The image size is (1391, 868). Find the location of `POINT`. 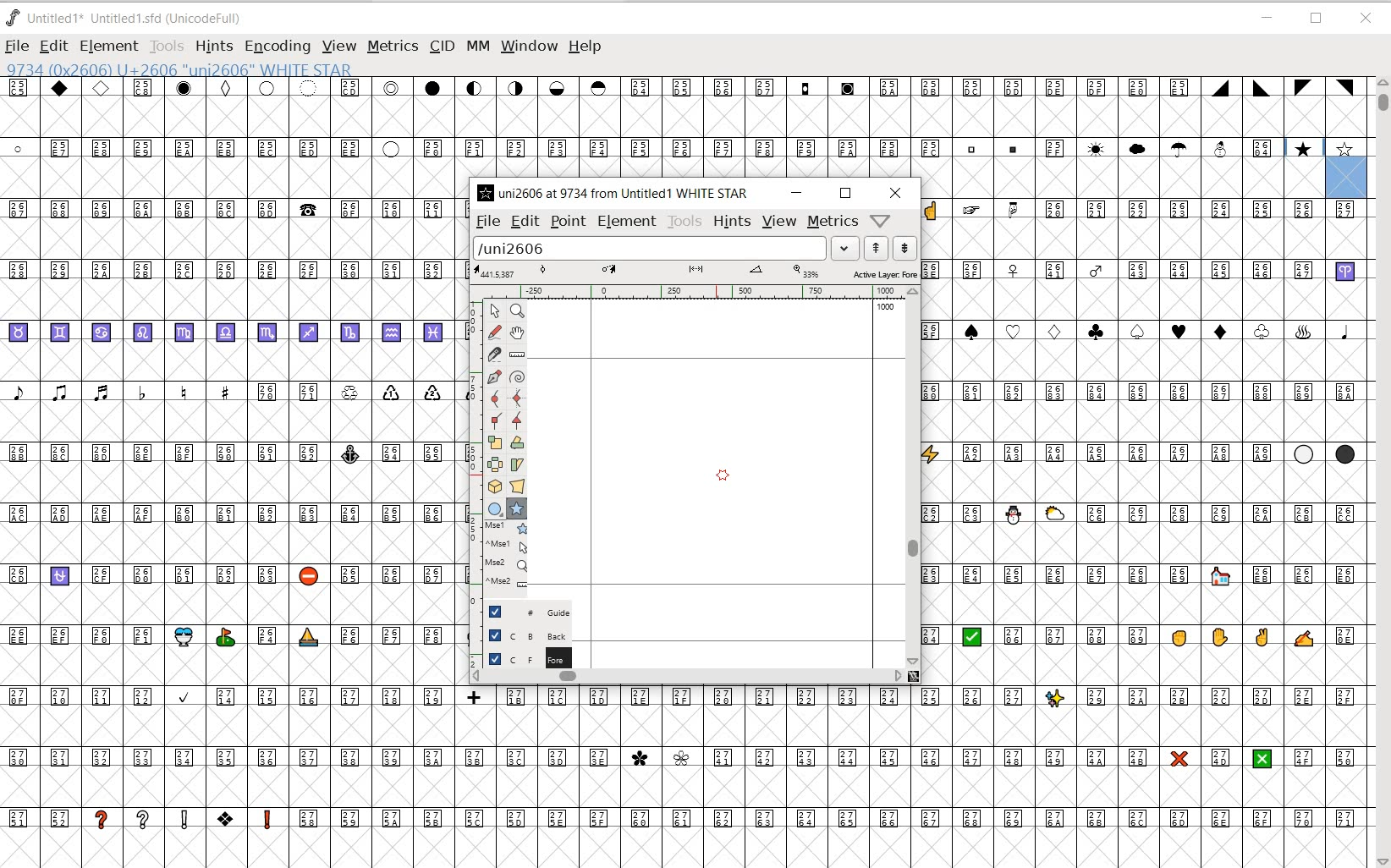

POINT is located at coordinates (568, 222).